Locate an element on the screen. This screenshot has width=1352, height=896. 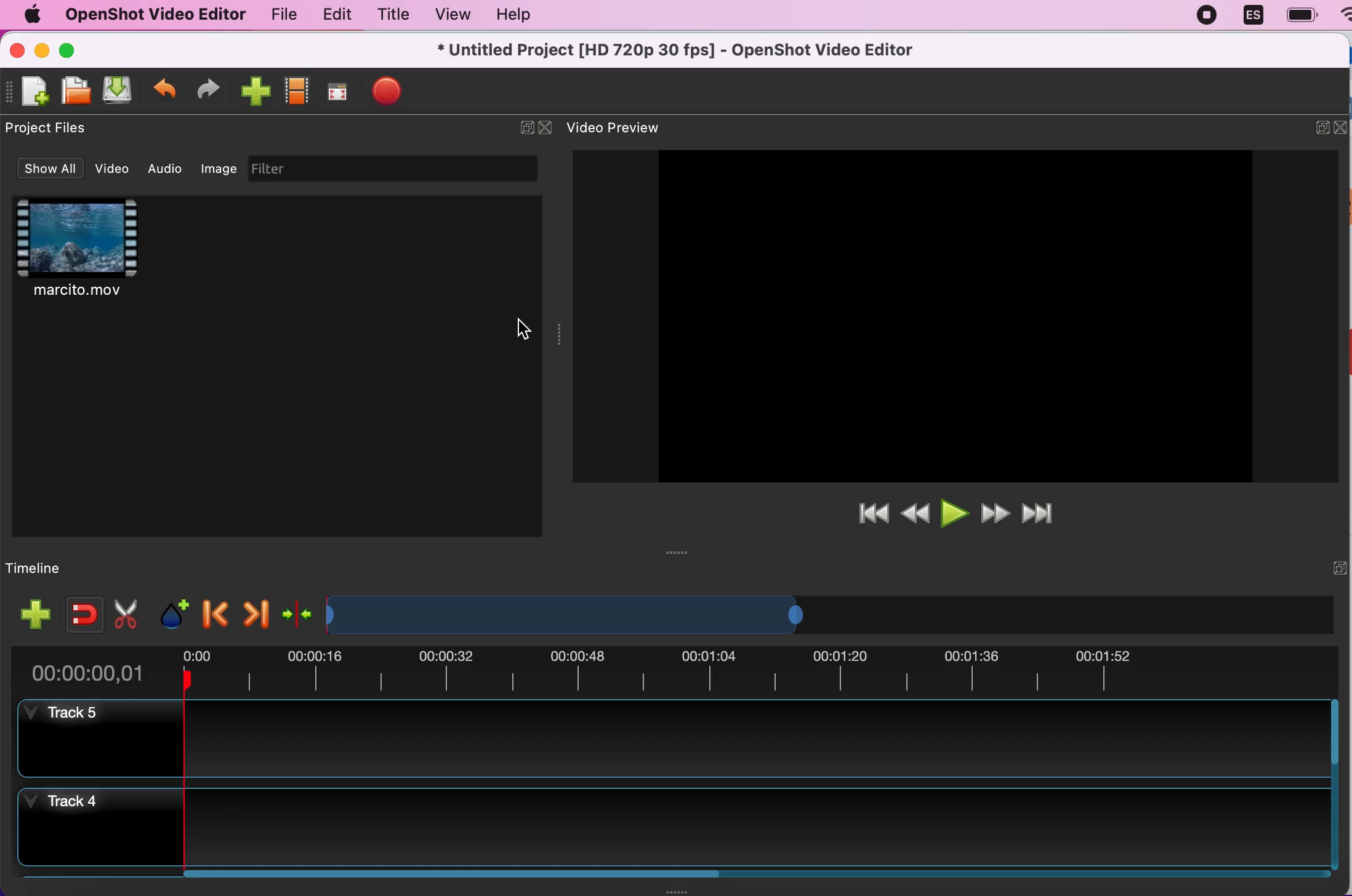
enable snapping is located at coordinates (82, 612).